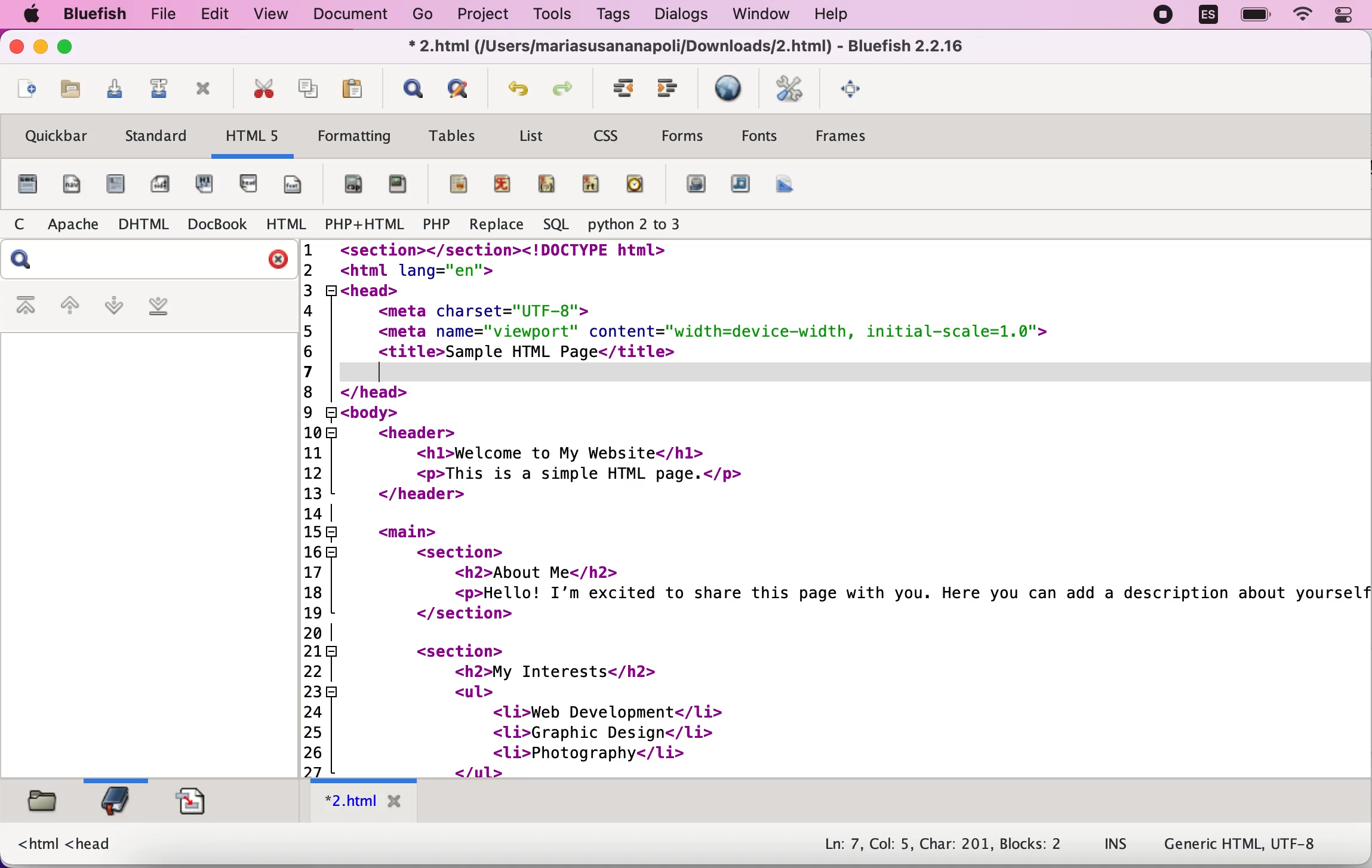  I want to click on standard, so click(159, 137).